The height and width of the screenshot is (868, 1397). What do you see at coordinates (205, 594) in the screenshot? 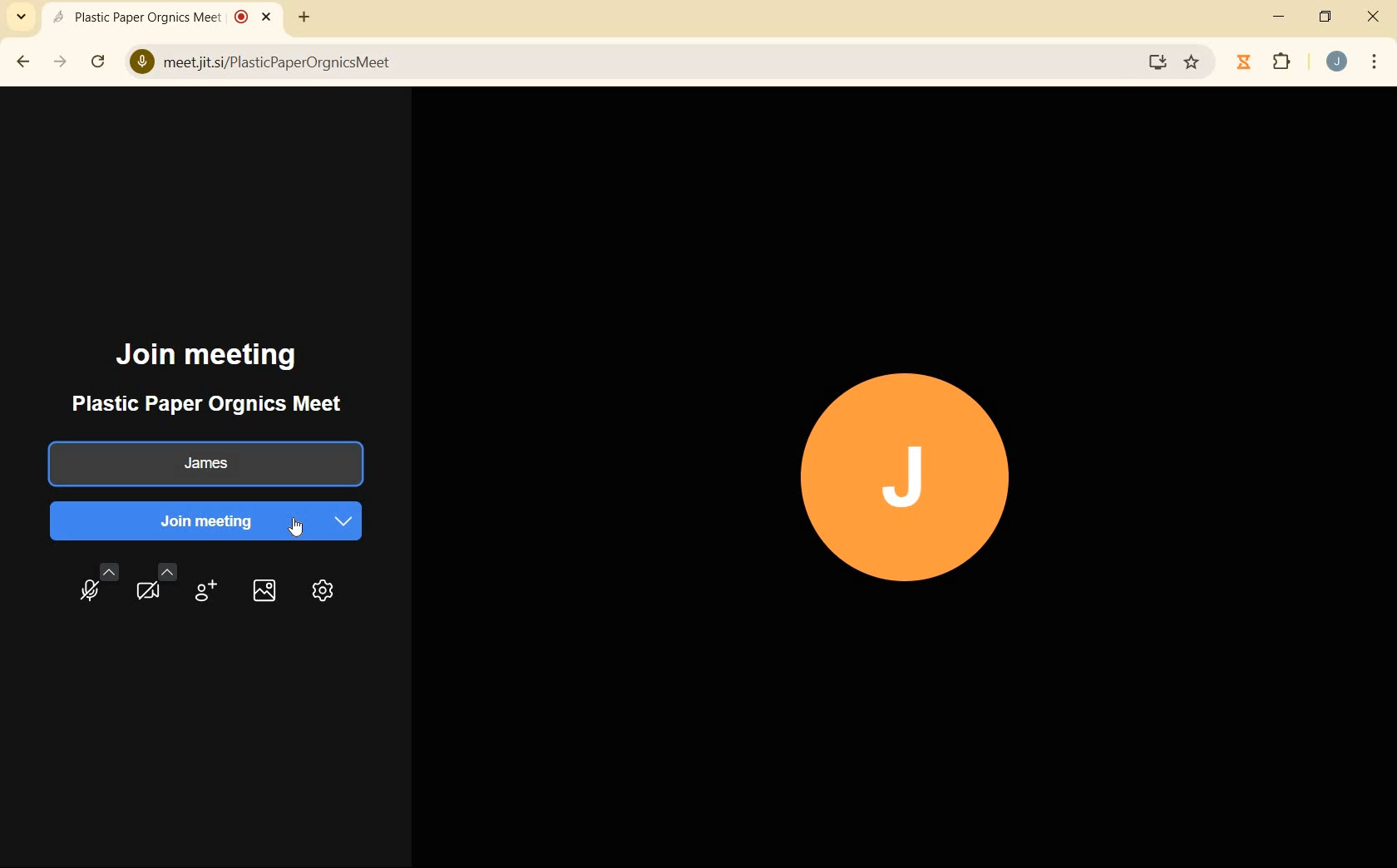
I see `invite people` at bounding box center [205, 594].